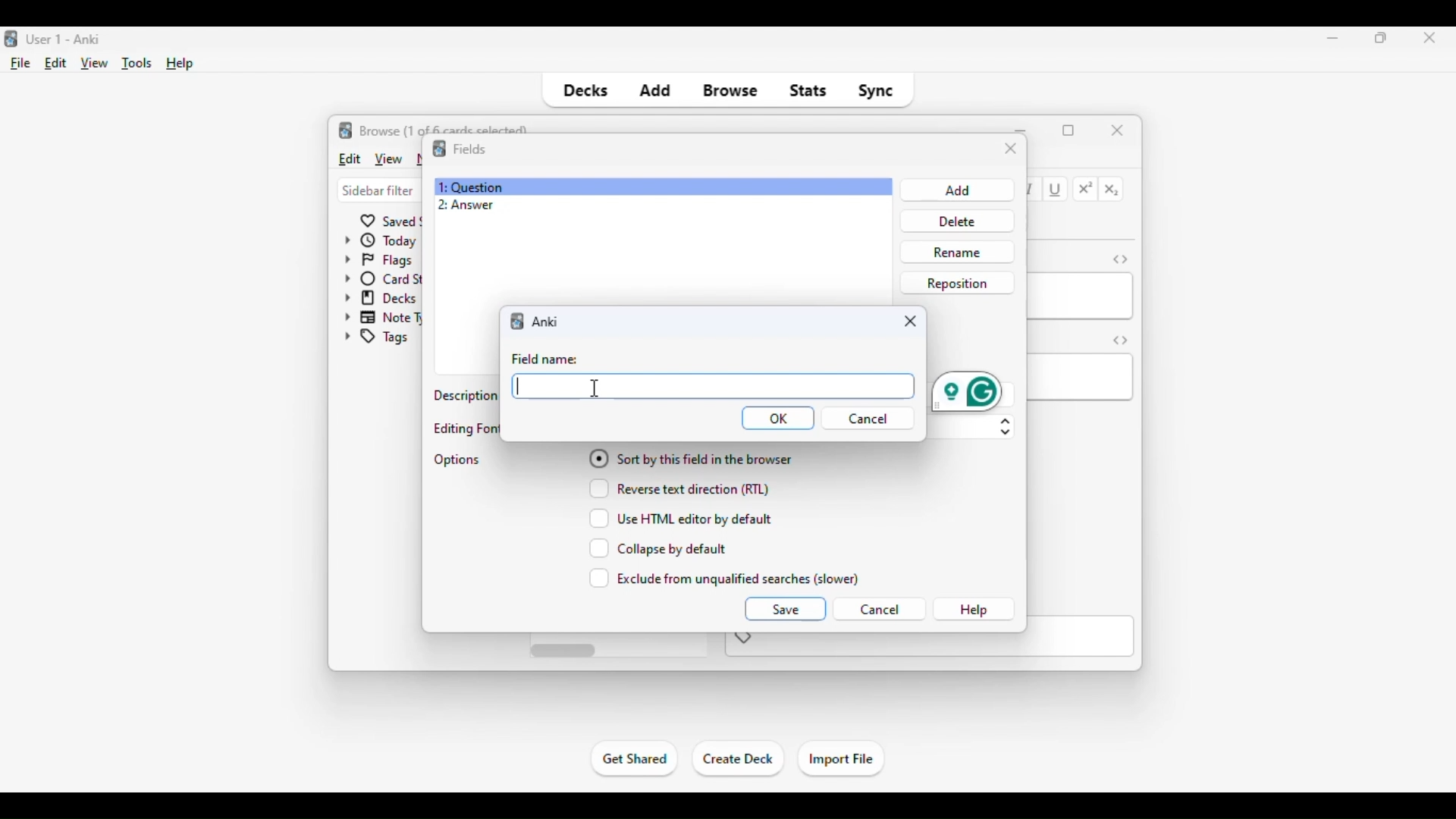 The height and width of the screenshot is (819, 1456). Describe the element at coordinates (731, 91) in the screenshot. I see `browse` at that location.